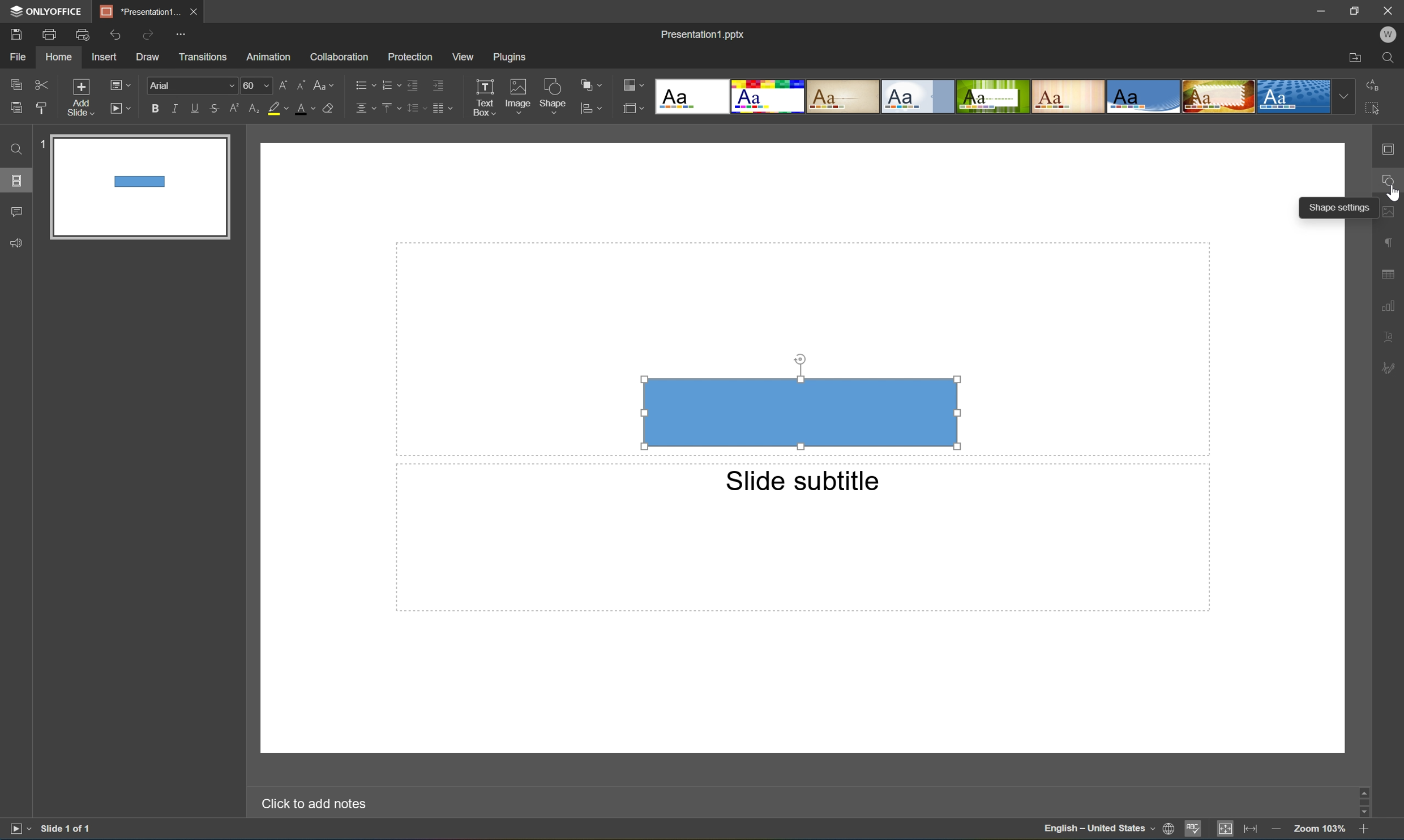 This screenshot has height=840, width=1404. Describe the element at coordinates (233, 108) in the screenshot. I see `Superscript` at that location.